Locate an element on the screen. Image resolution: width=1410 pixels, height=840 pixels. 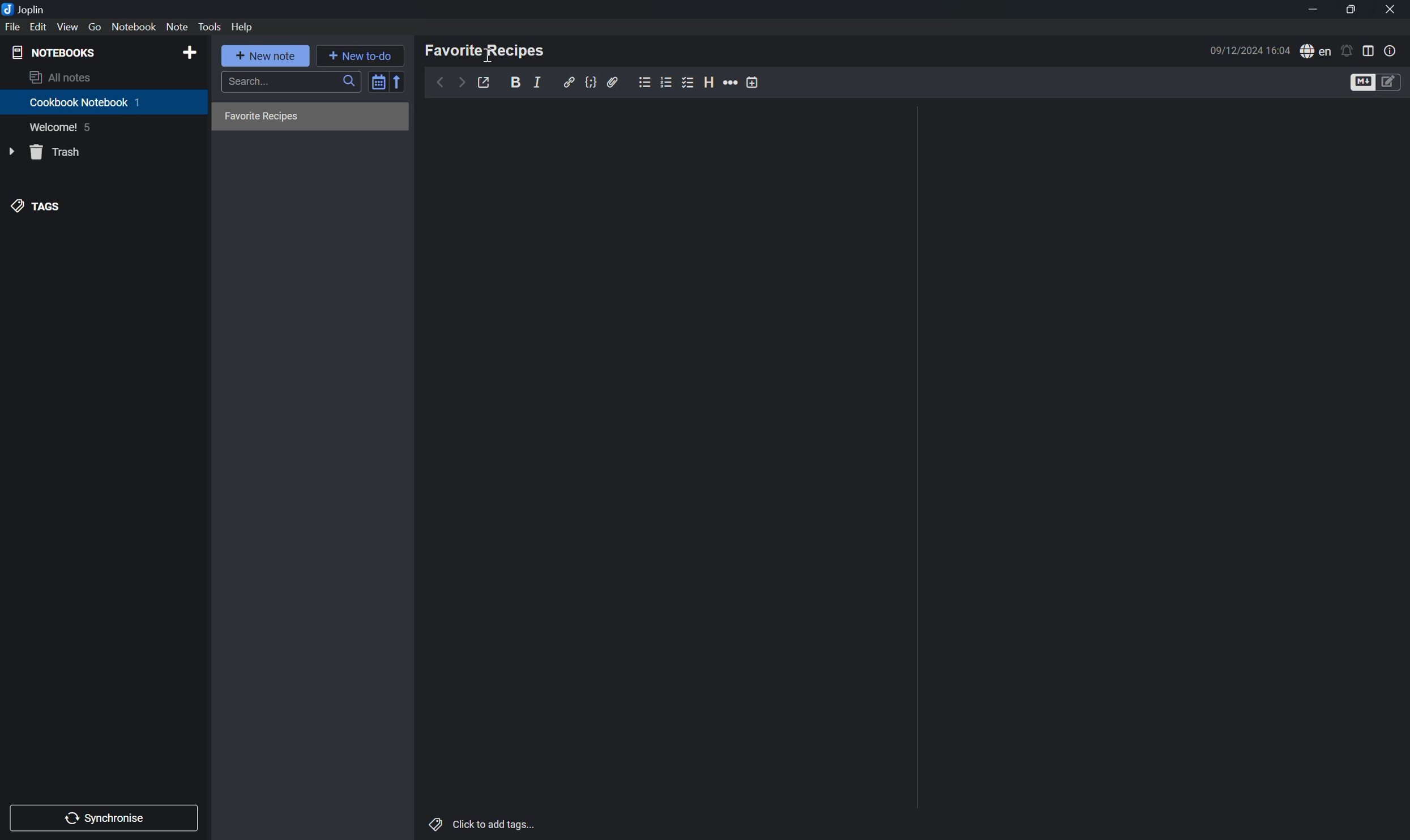
Cookbook Notebook 1 is located at coordinates (86, 102).